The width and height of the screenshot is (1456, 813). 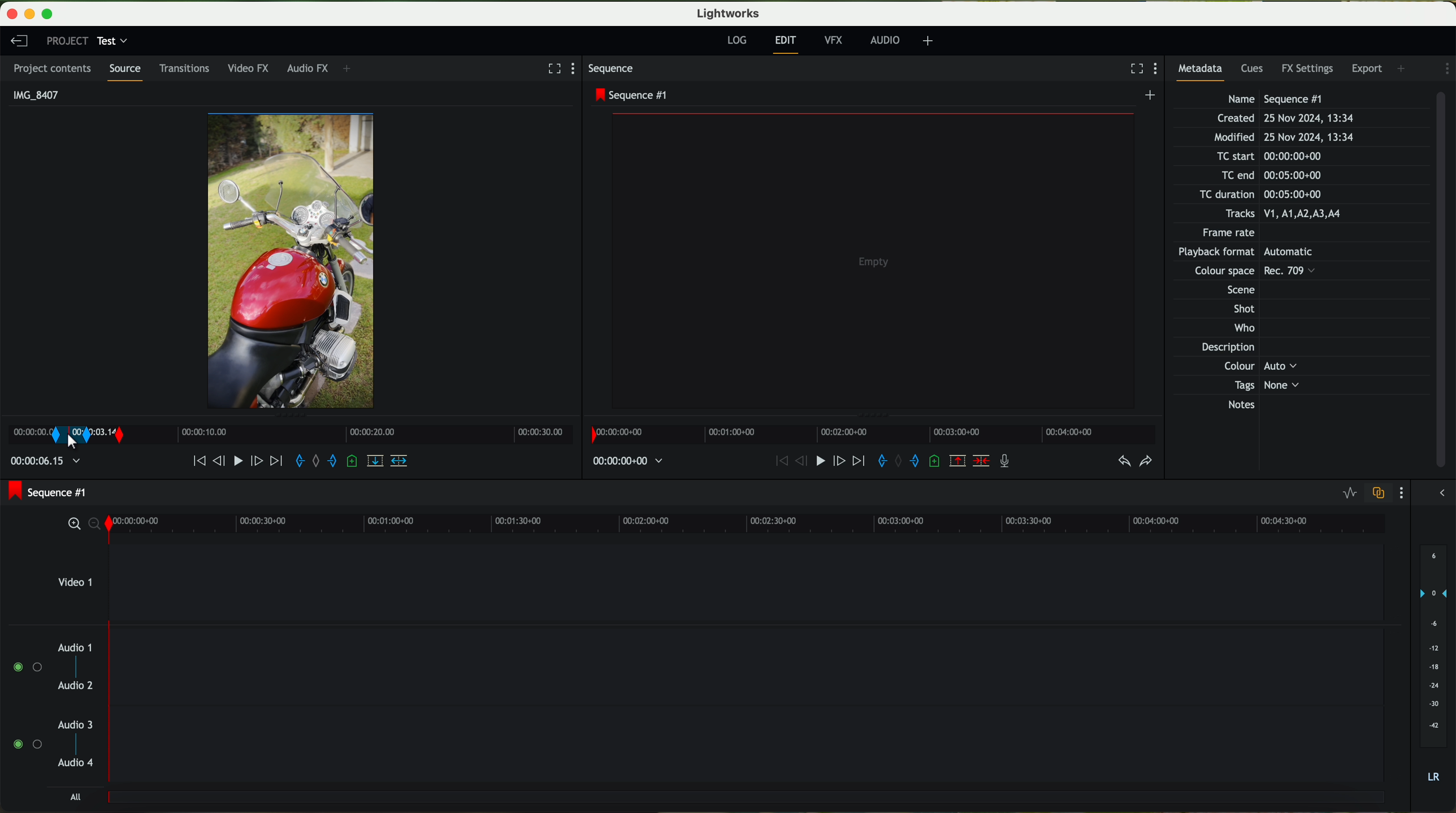 What do you see at coordinates (856, 462) in the screenshot?
I see `move foward` at bounding box center [856, 462].